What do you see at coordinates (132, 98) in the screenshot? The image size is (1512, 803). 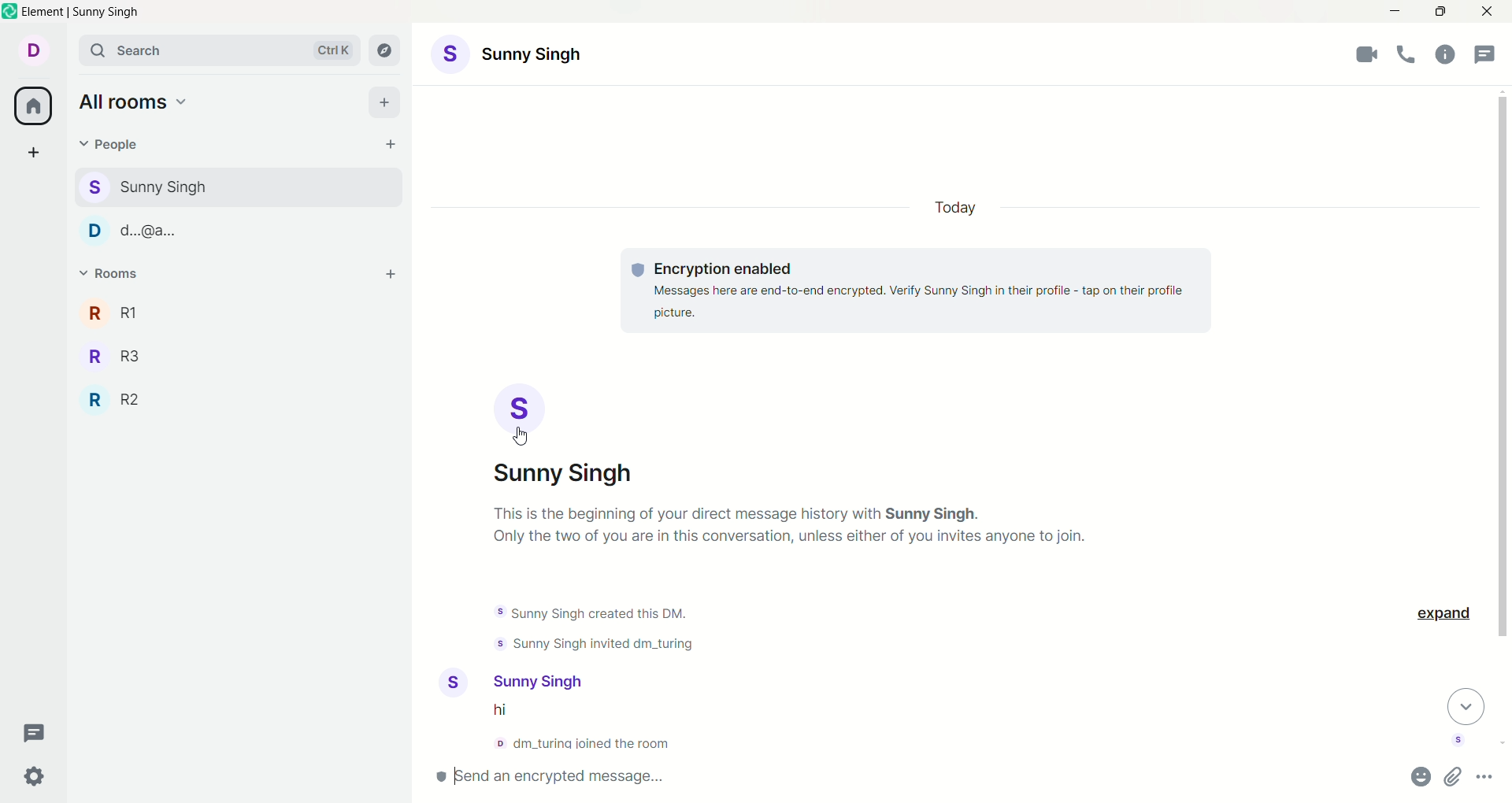 I see `all rooms` at bounding box center [132, 98].